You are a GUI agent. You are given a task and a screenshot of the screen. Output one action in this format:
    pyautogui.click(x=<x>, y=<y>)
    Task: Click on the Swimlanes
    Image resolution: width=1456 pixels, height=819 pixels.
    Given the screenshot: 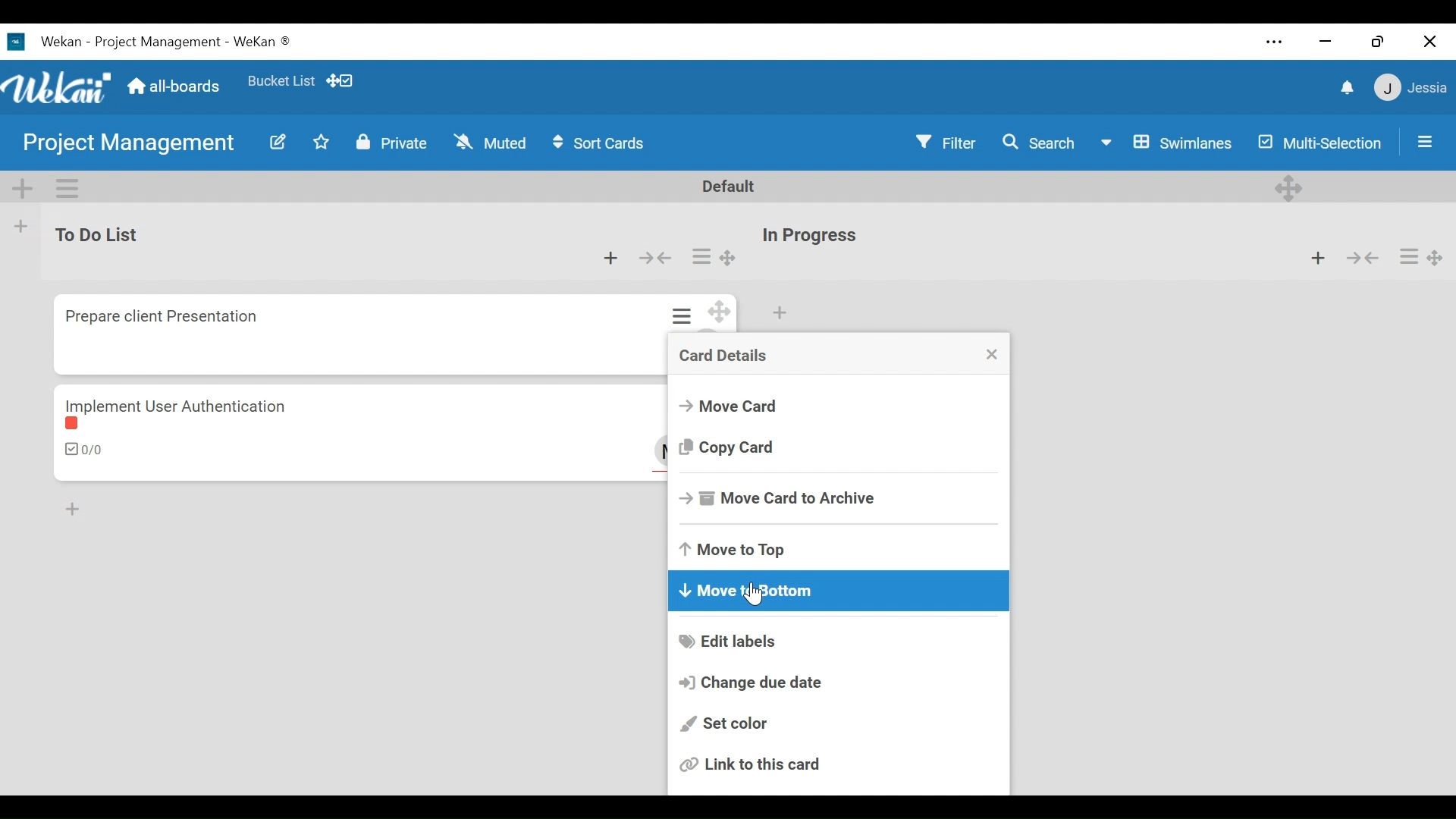 What is the action you would take?
    pyautogui.click(x=1166, y=143)
    